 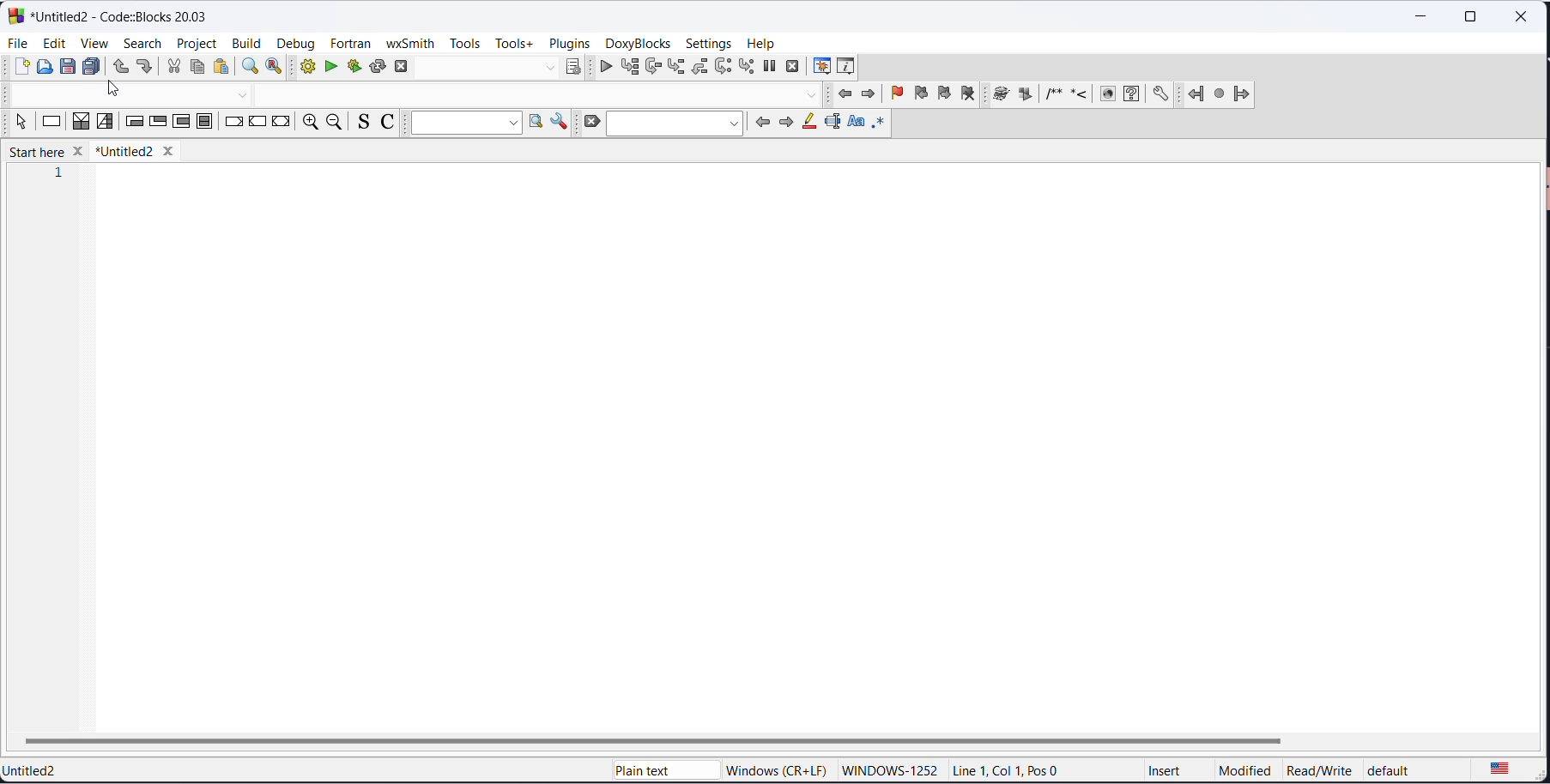 What do you see at coordinates (640, 44) in the screenshot?
I see `DoxyBlocks` at bounding box center [640, 44].